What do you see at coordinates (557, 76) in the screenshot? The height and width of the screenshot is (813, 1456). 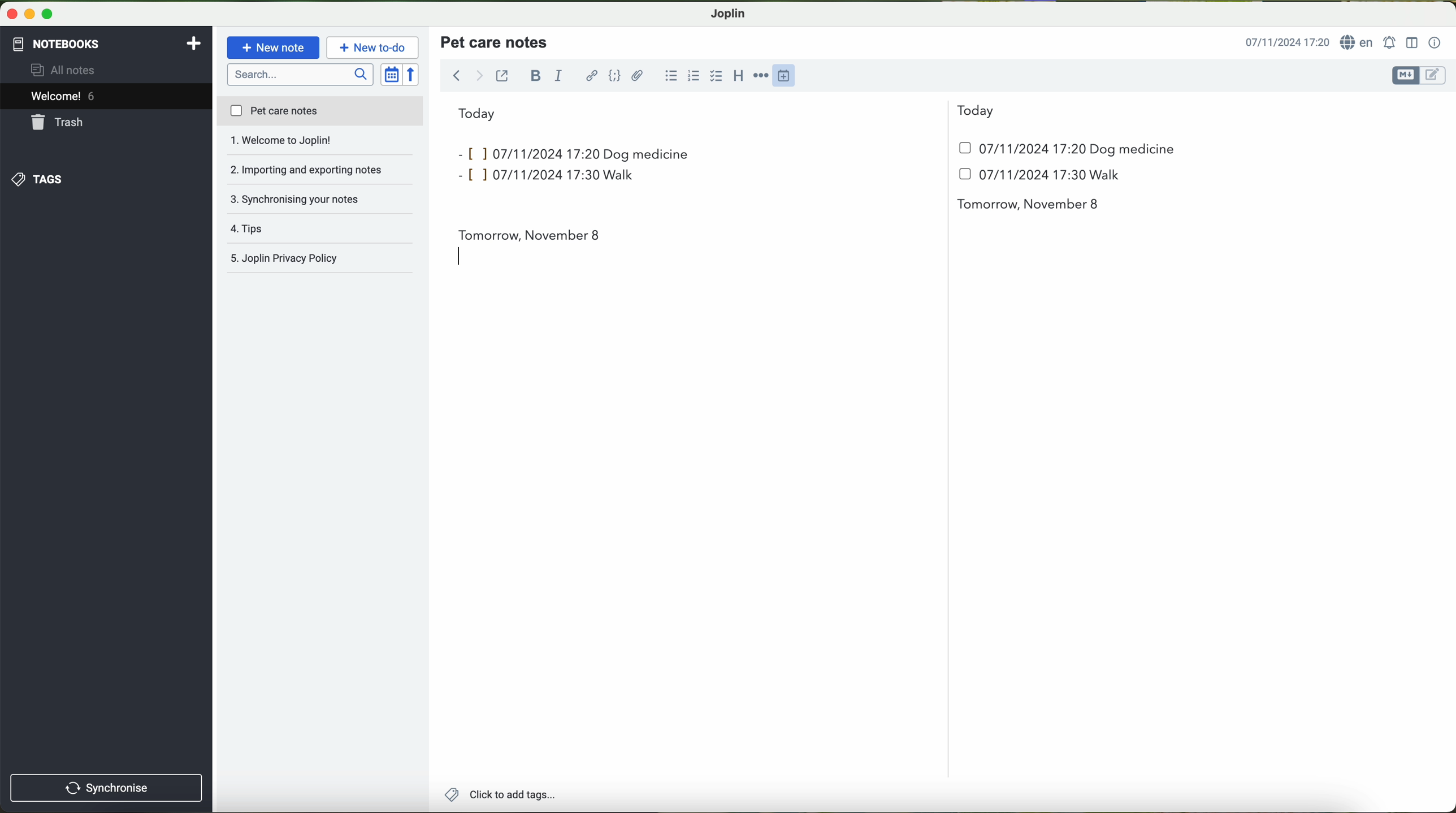 I see `italic` at bounding box center [557, 76].